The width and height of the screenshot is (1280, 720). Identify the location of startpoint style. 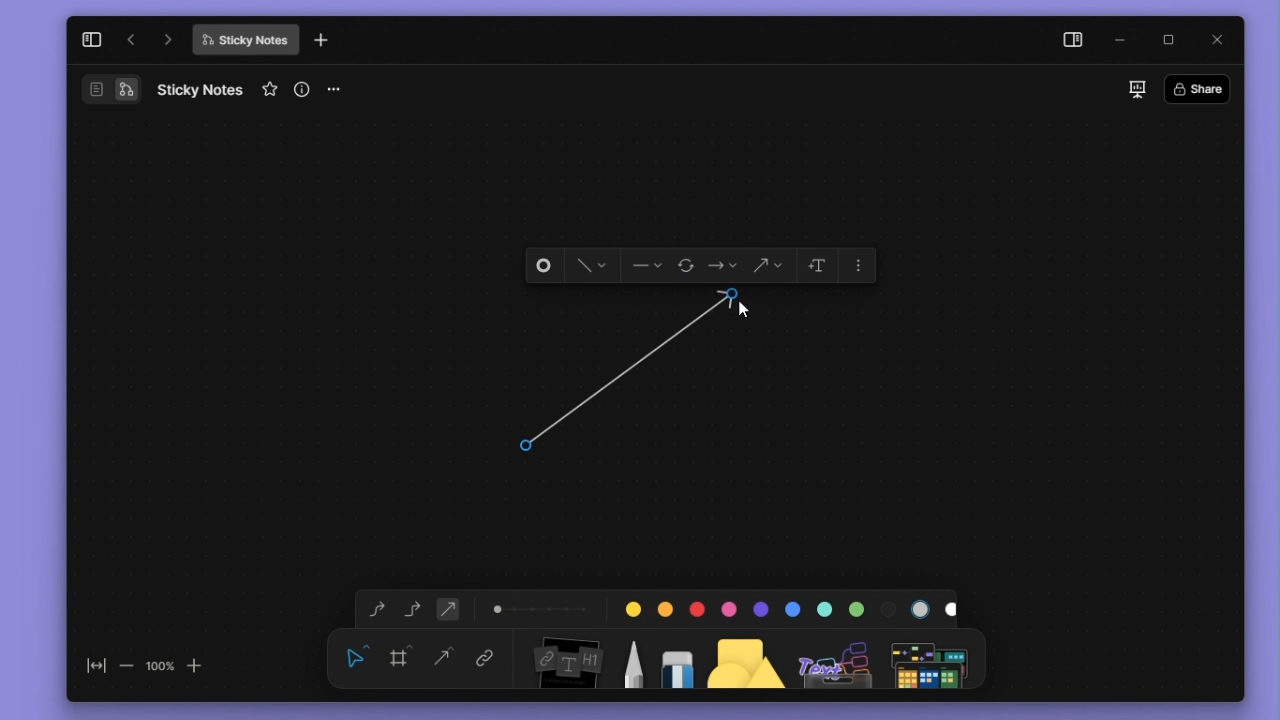
(646, 266).